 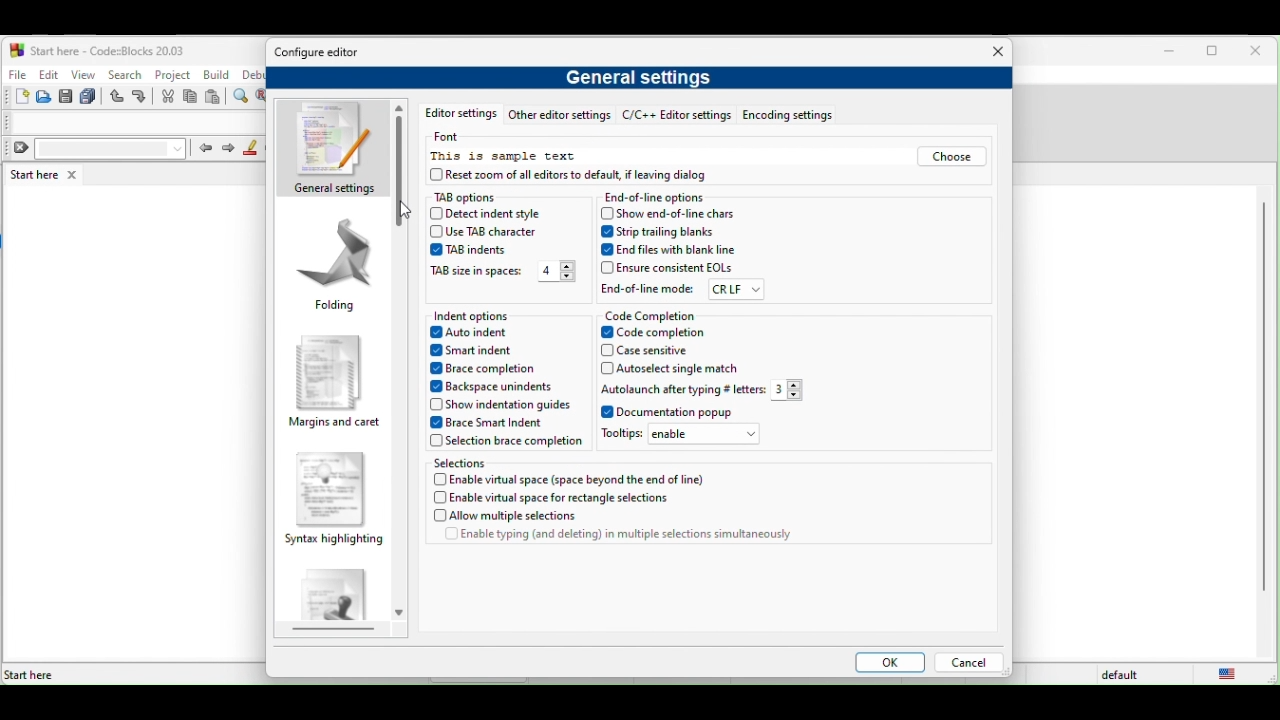 I want to click on tab options, so click(x=484, y=197).